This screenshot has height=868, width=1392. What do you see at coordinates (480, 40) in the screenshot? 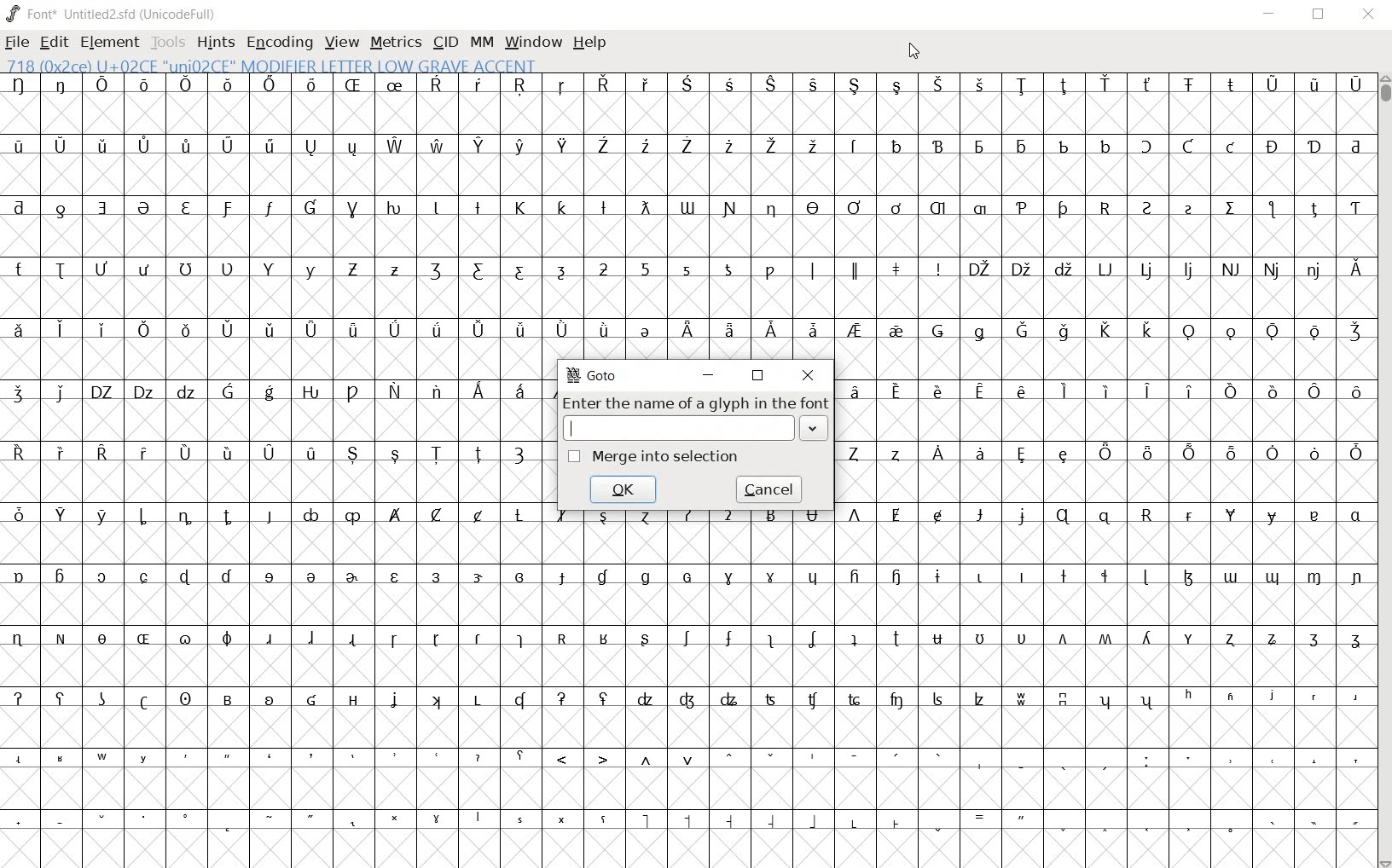
I see `mm` at bounding box center [480, 40].